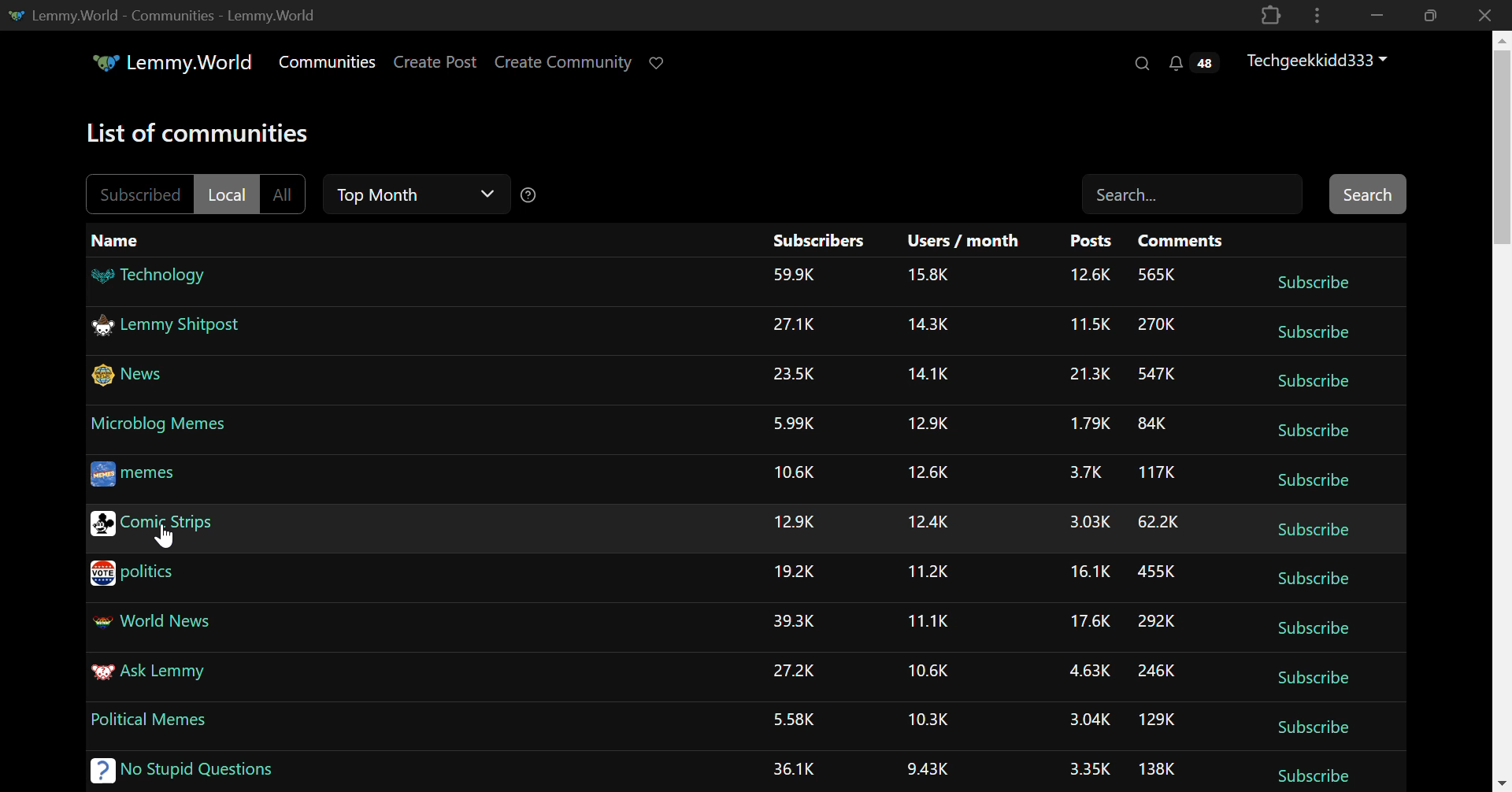 The image size is (1512, 792). What do you see at coordinates (1088, 276) in the screenshot?
I see `12.6K` at bounding box center [1088, 276].